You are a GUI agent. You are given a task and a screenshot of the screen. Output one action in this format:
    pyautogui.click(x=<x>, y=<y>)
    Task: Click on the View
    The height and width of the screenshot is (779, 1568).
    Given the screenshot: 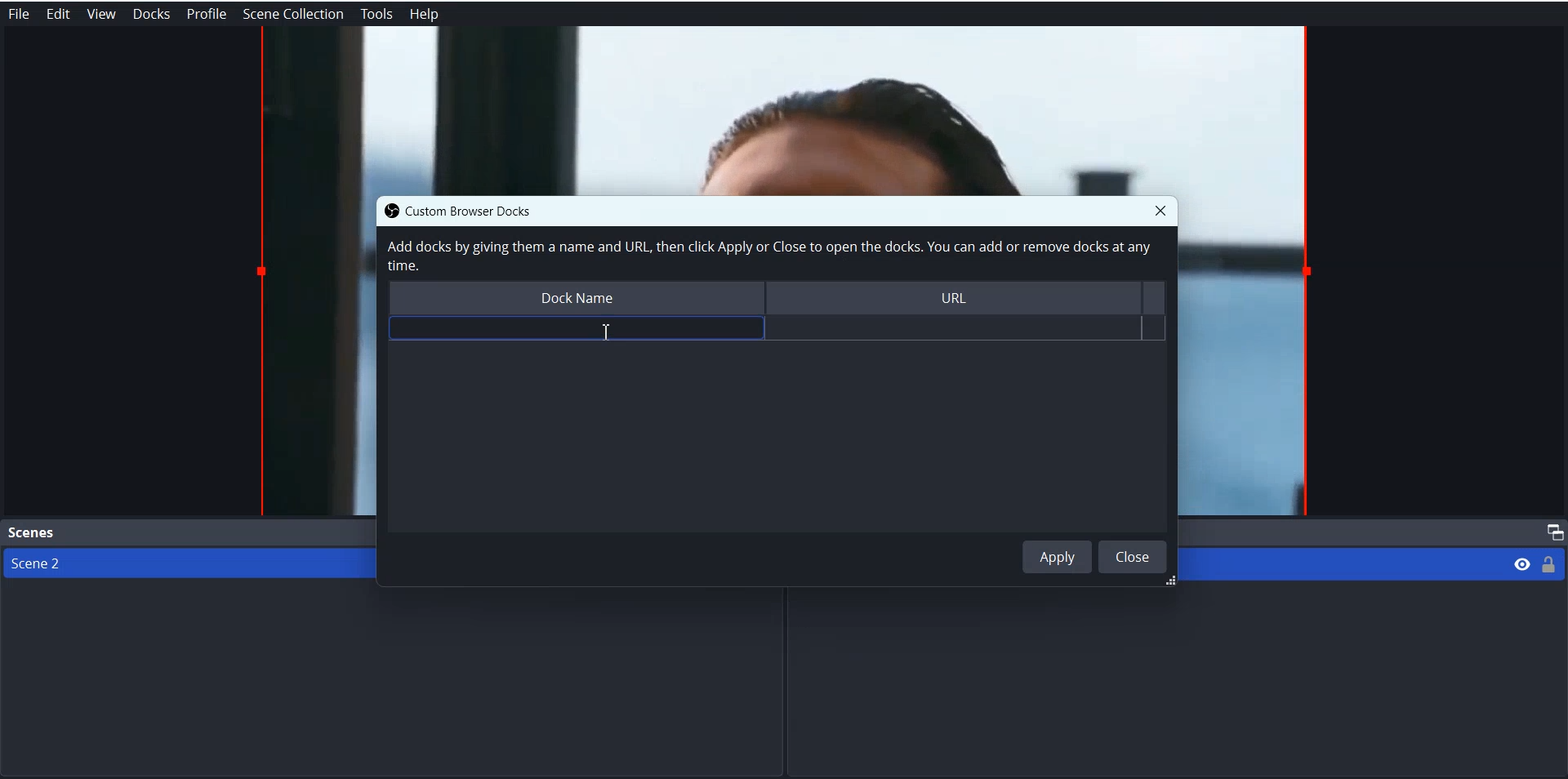 What is the action you would take?
    pyautogui.click(x=100, y=14)
    